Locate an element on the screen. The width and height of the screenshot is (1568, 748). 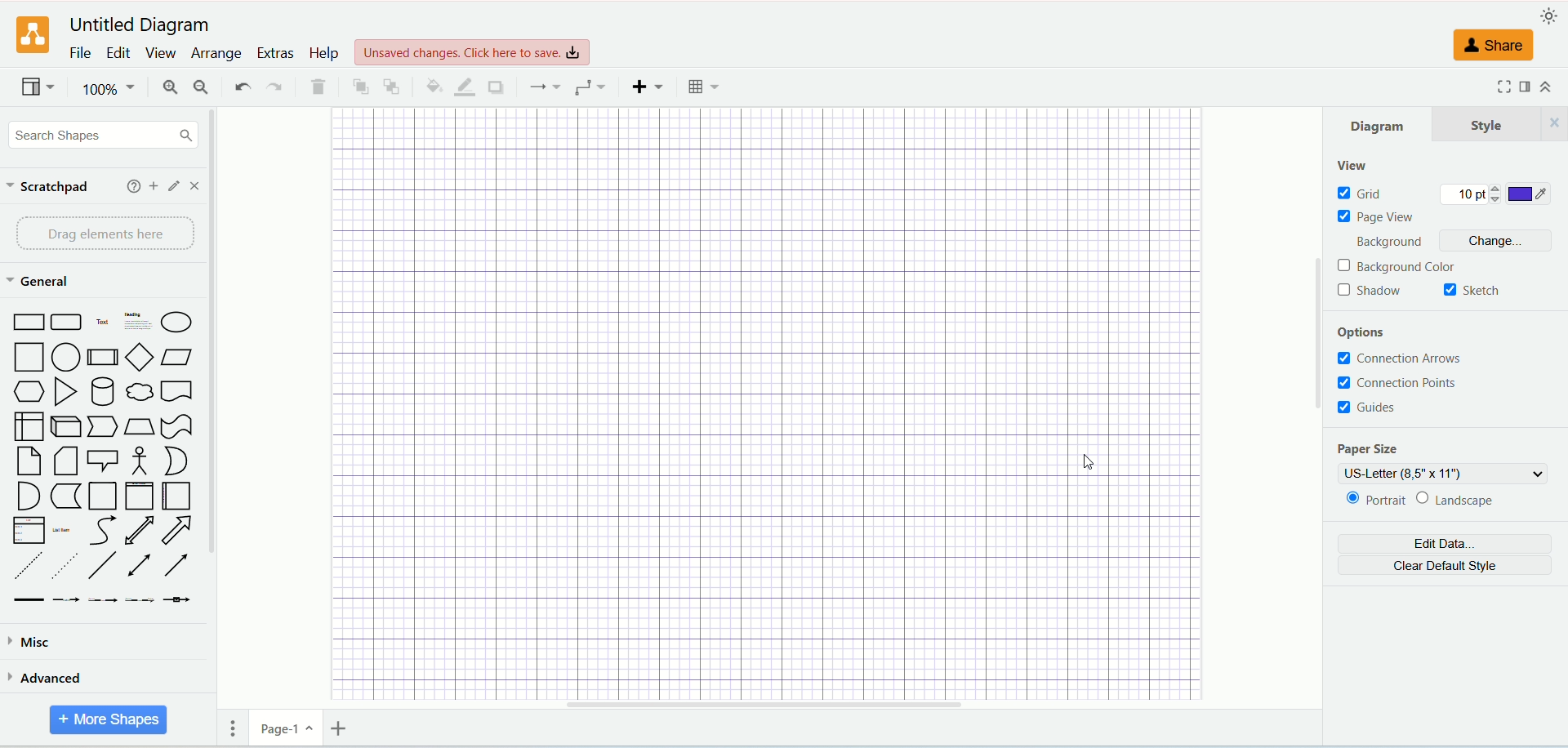
Table is located at coordinates (700, 87).